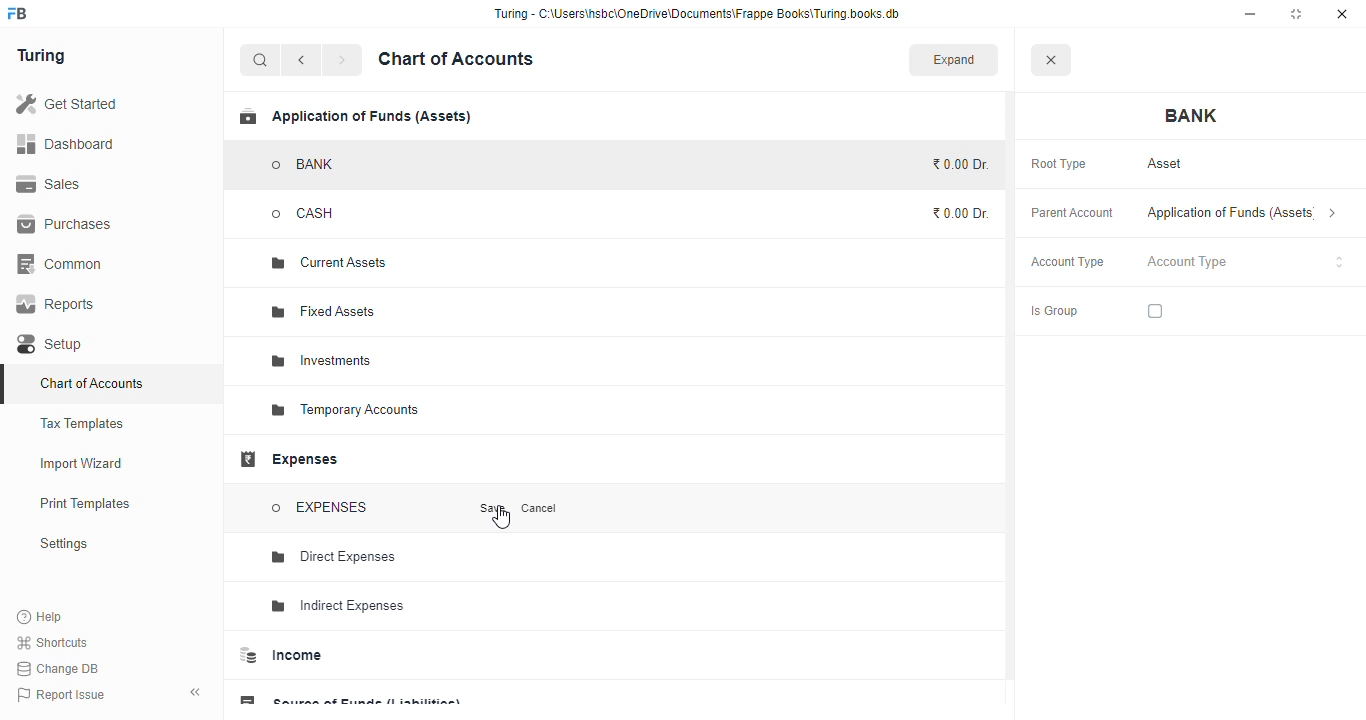 The image size is (1366, 720). Describe the element at coordinates (1296, 14) in the screenshot. I see `maximize` at that location.